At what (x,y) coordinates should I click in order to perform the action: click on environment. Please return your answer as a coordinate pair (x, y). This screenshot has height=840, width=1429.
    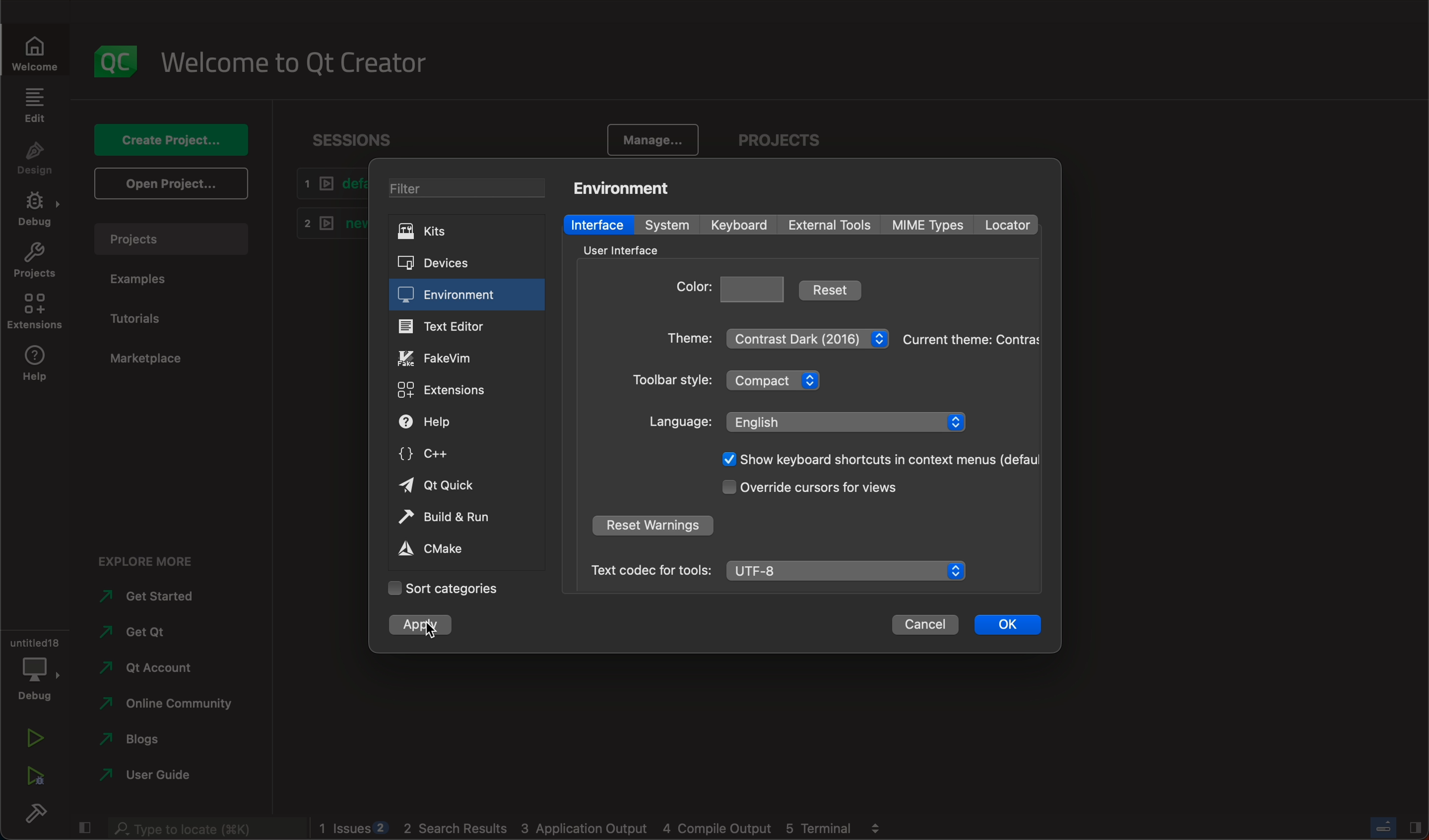
    Looking at the image, I should click on (627, 186).